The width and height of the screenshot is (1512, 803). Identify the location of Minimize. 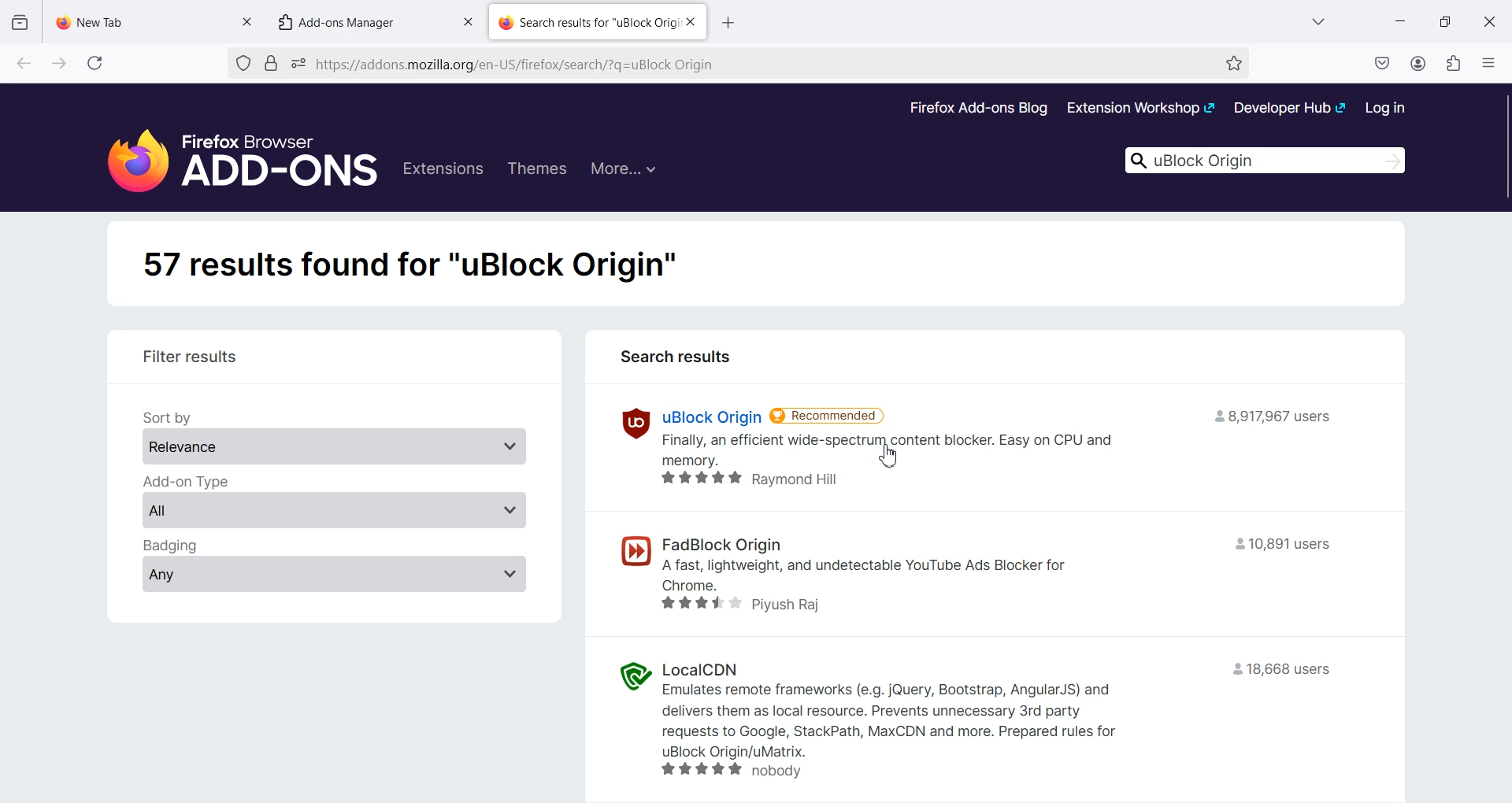
(1400, 21).